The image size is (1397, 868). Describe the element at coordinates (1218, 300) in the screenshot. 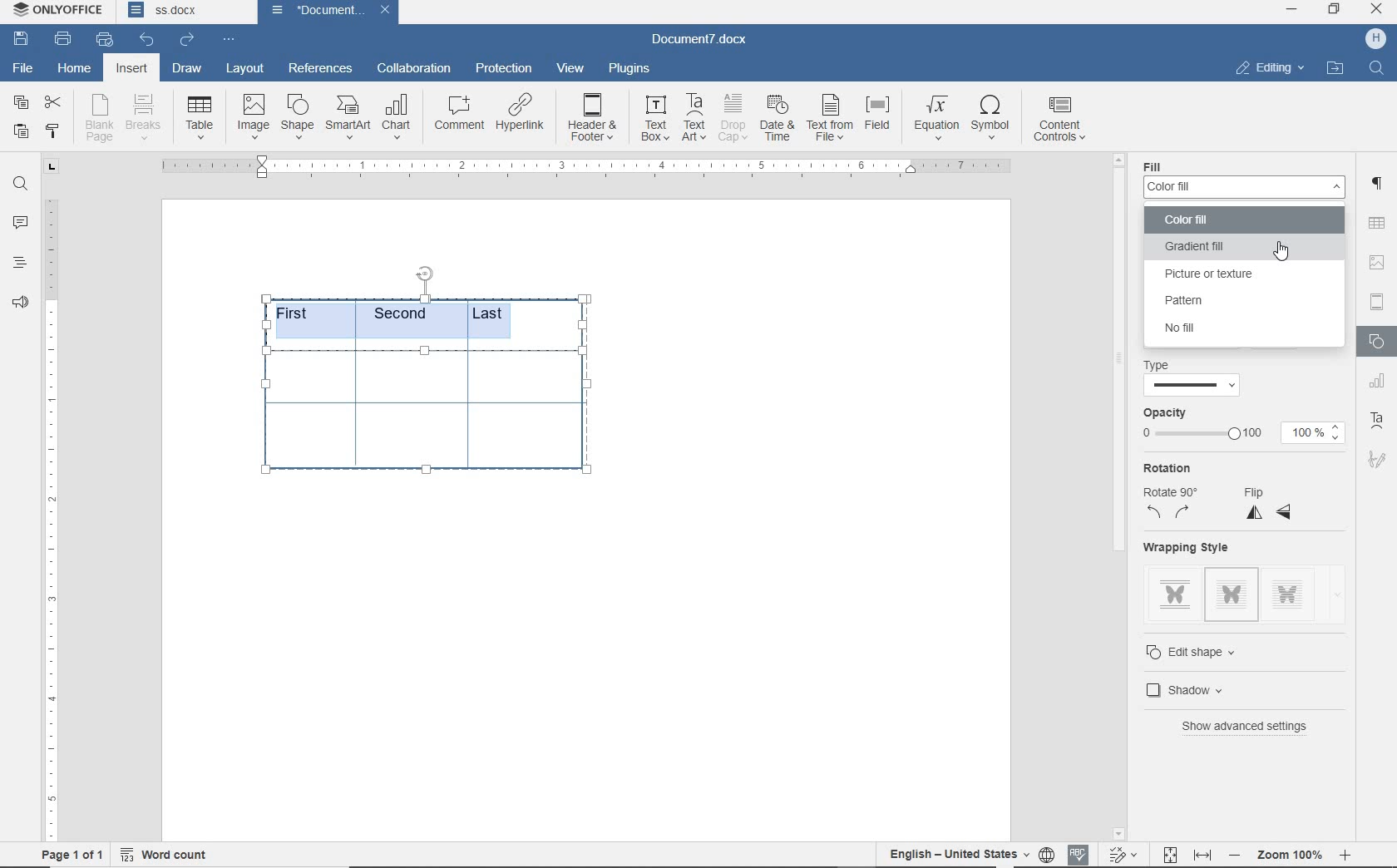

I see `pattern` at that location.